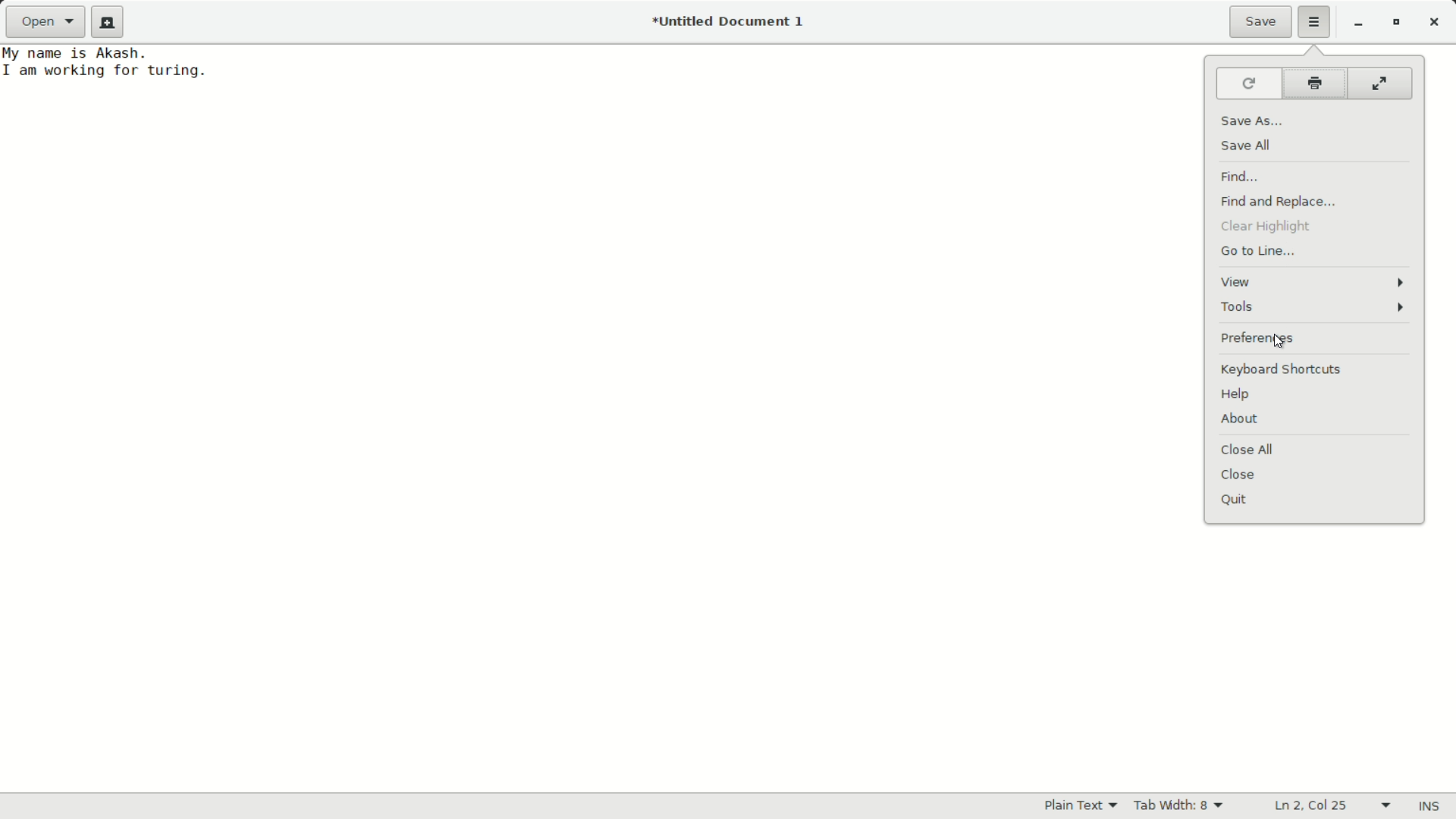 The height and width of the screenshot is (819, 1456). What do you see at coordinates (1380, 83) in the screenshot?
I see `full screen` at bounding box center [1380, 83].